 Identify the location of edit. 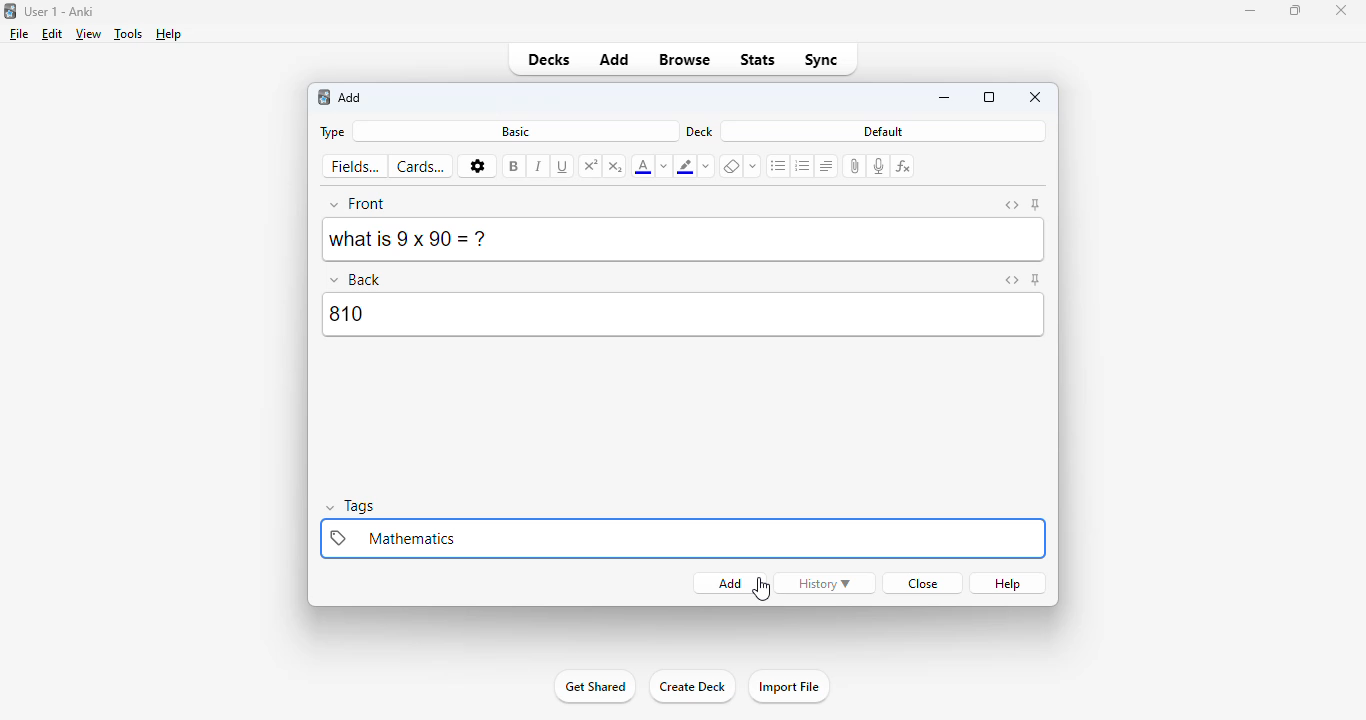
(52, 34).